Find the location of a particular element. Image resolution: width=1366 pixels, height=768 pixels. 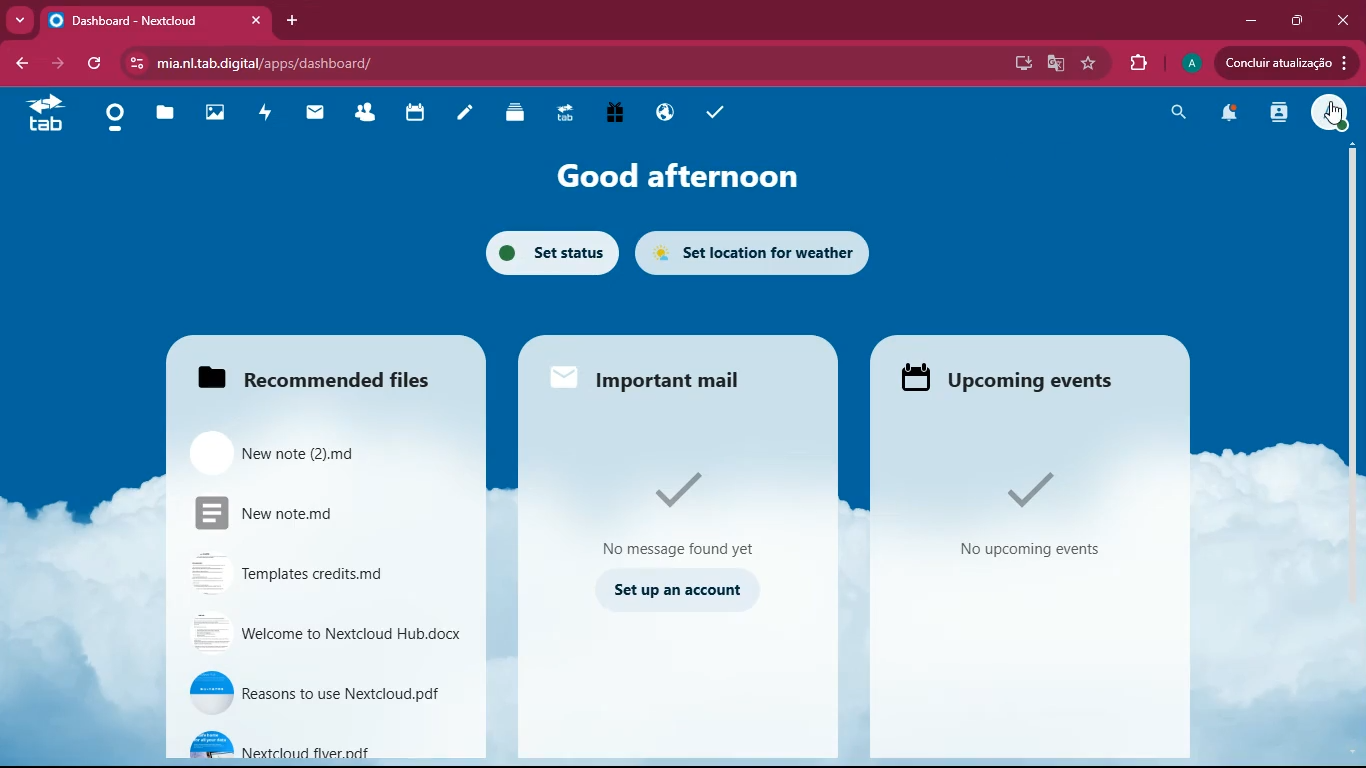

file is located at coordinates (307, 569).